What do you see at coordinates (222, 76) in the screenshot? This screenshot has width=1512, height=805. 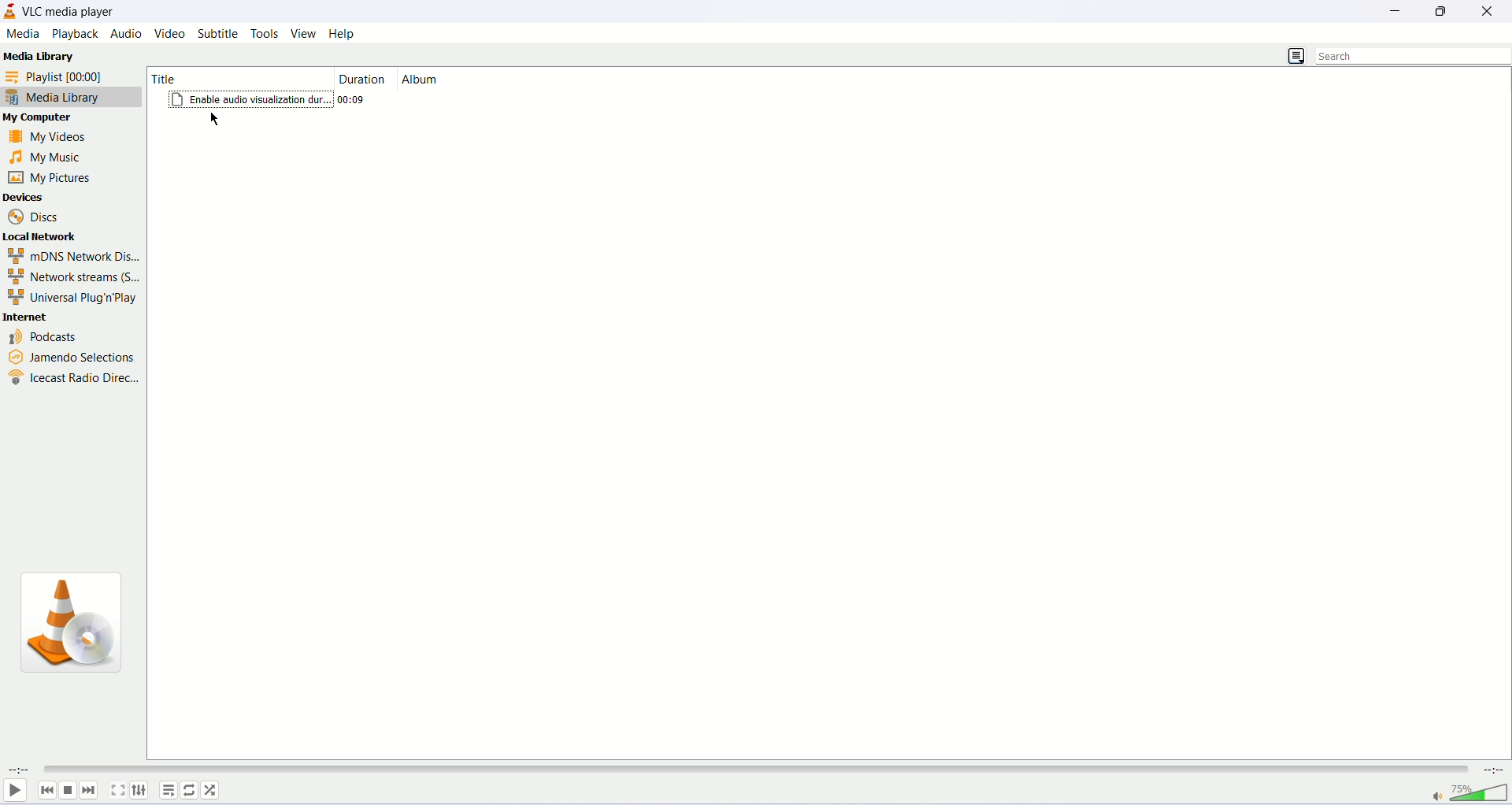 I see `title` at bounding box center [222, 76].